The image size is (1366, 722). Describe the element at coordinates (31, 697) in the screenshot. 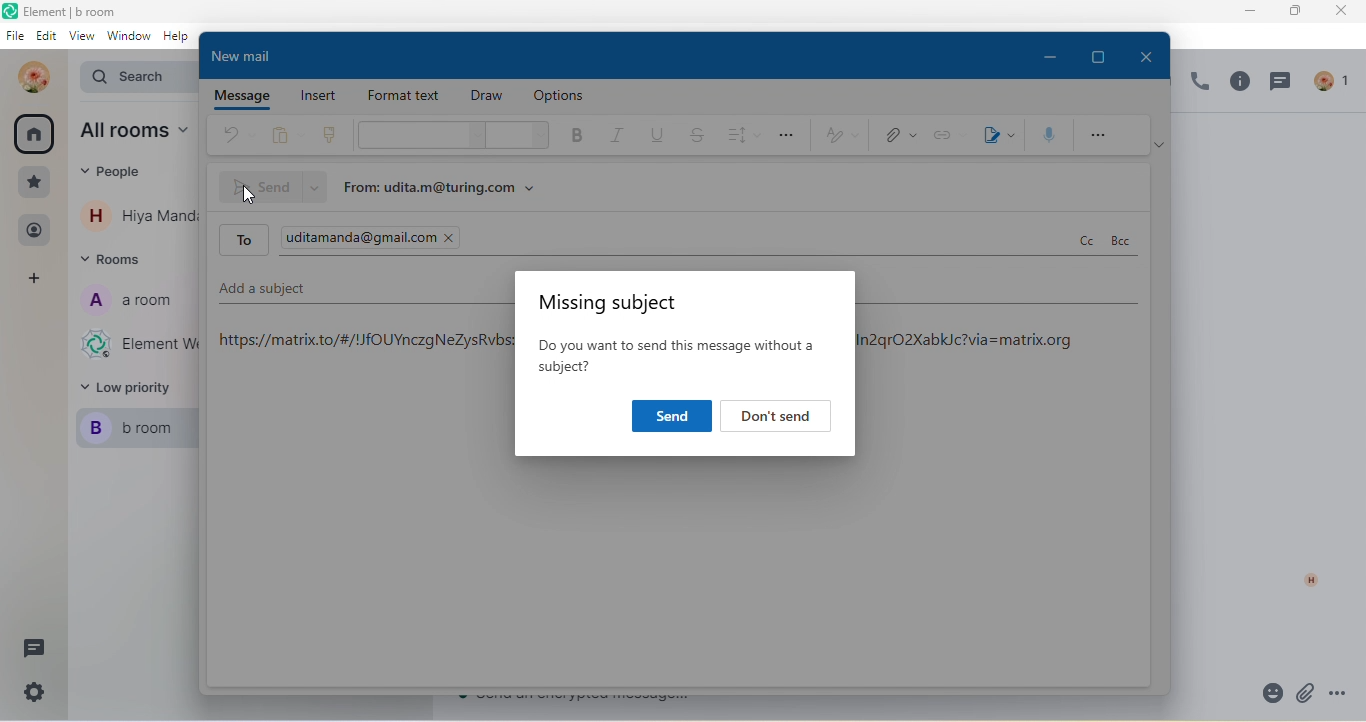

I see `setting` at that location.